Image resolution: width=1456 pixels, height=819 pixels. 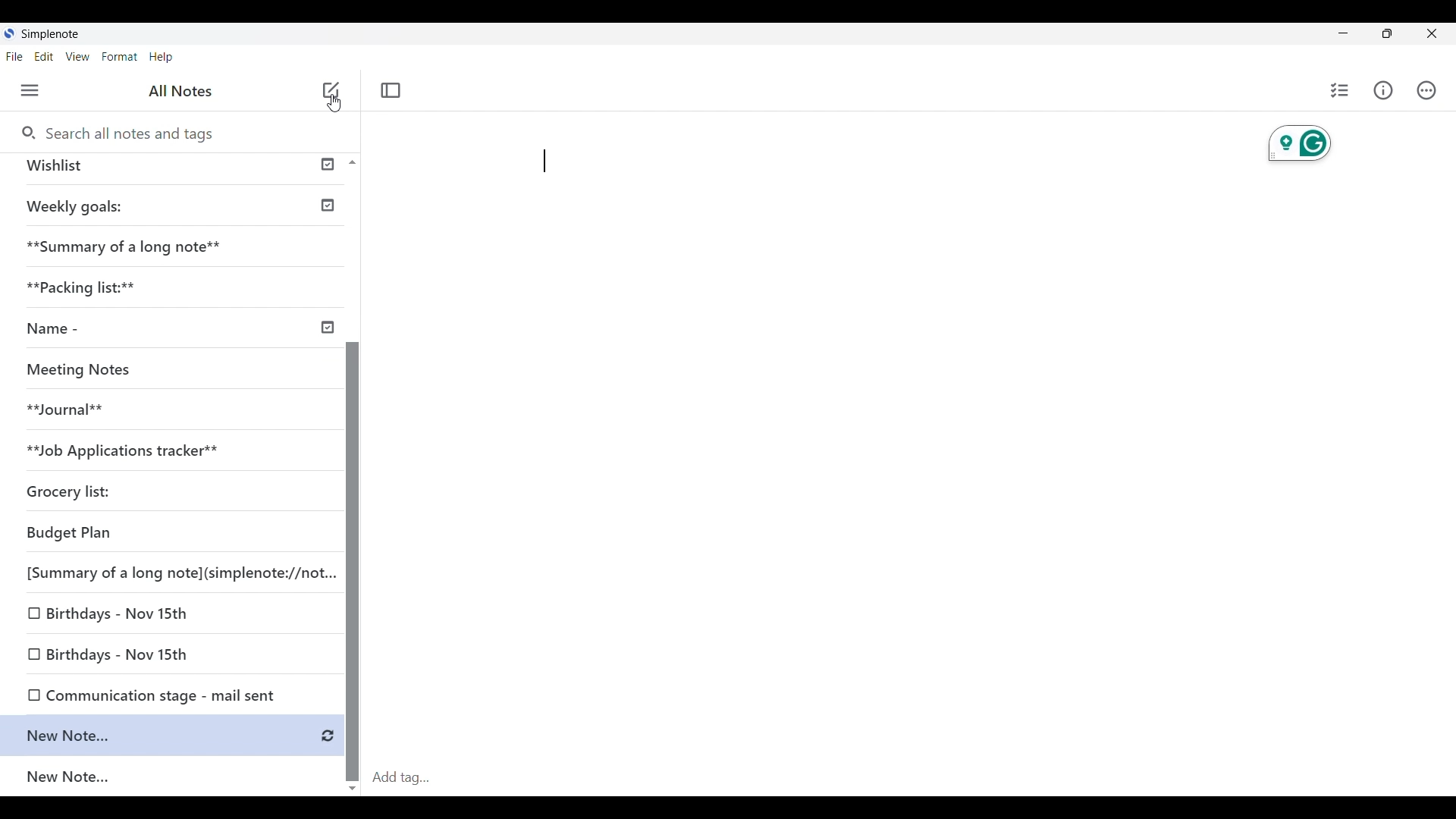 I want to click on O Birthdays - Nov 15th, so click(x=110, y=613).